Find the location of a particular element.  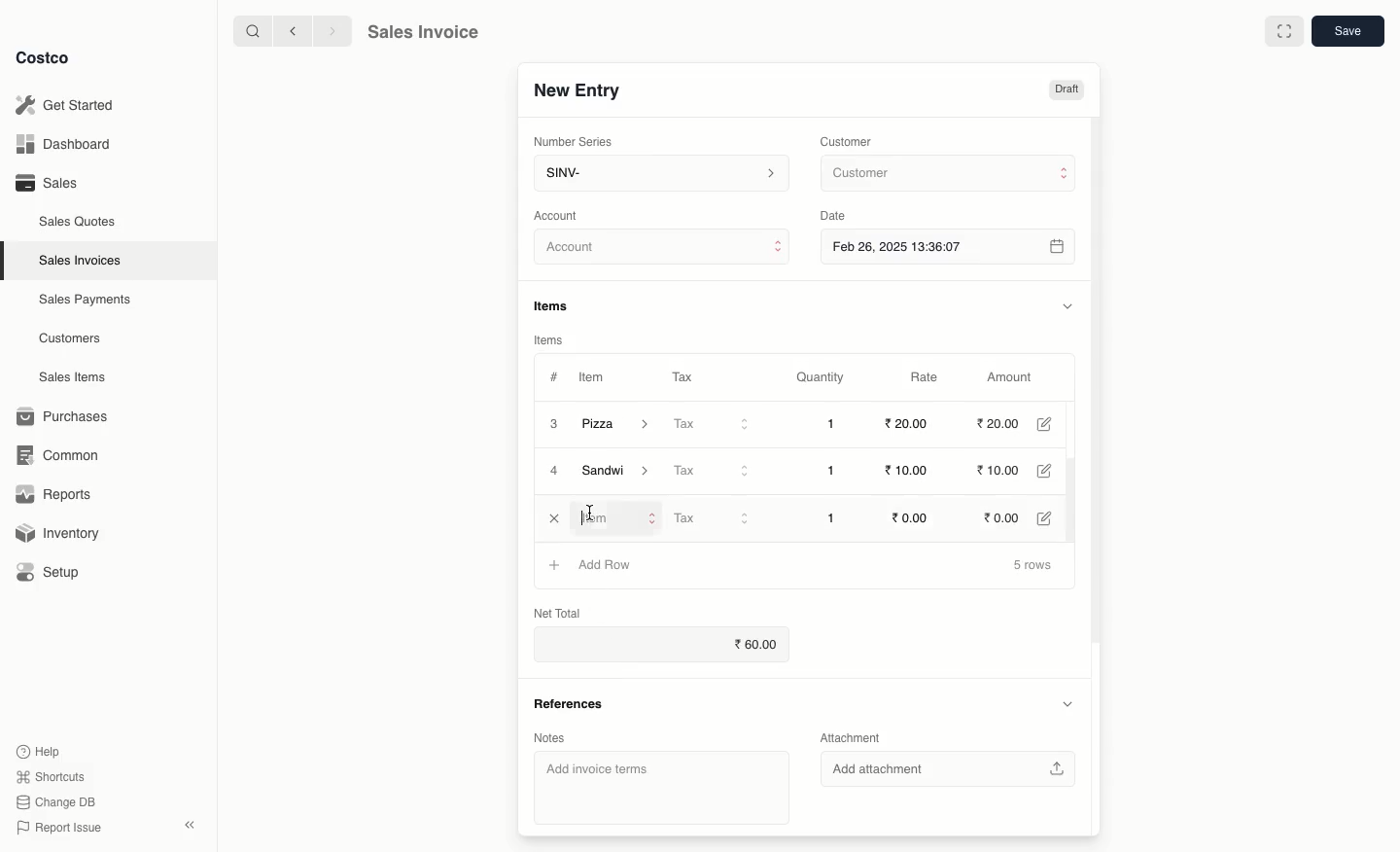

20.00 is located at coordinates (1000, 424).